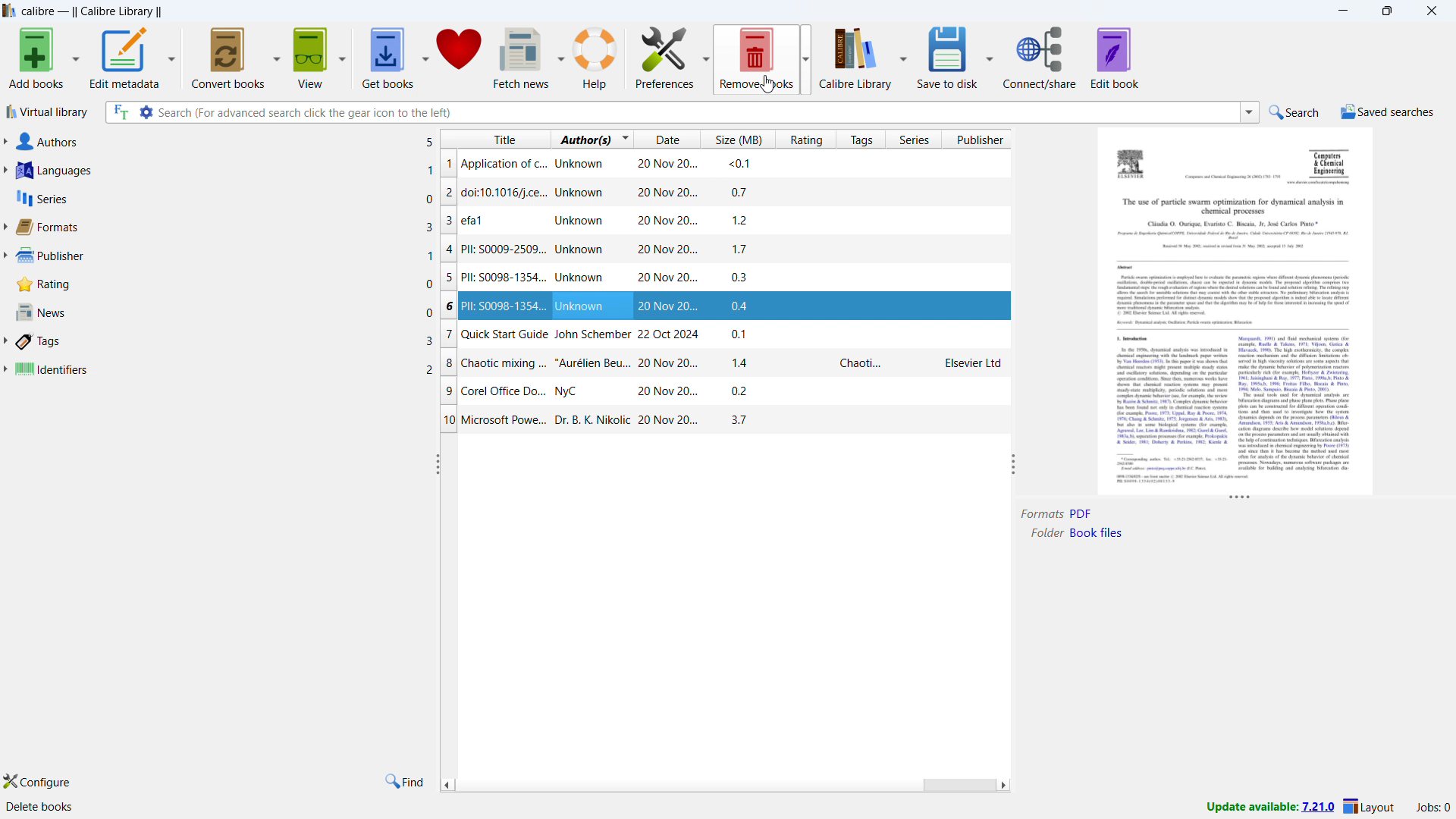 The width and height of the screenshot is (1456, 819). I want to click on edit book, so click(1115, 58).